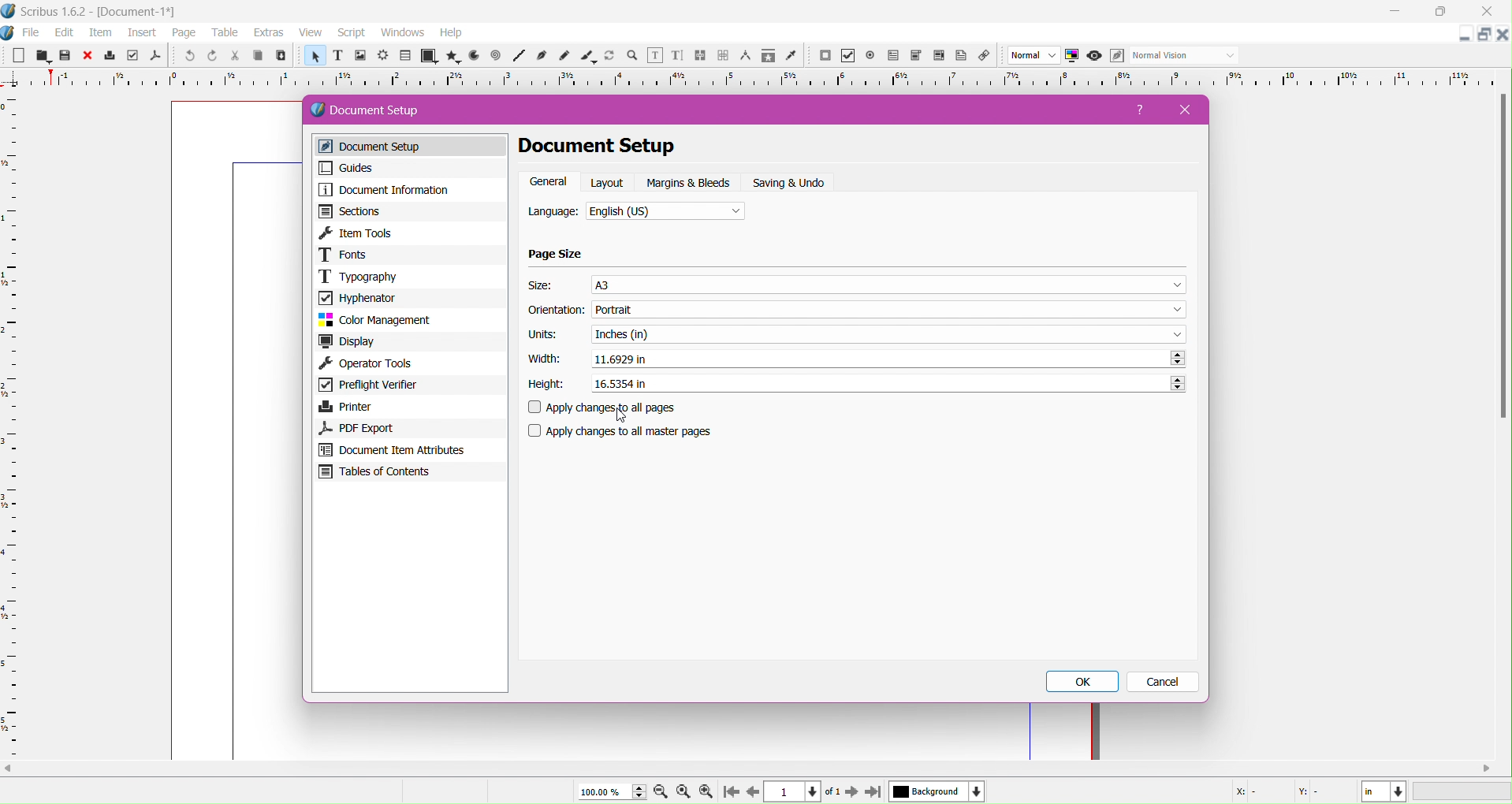 The height and width of the screenshot is (804, 1512). I want to click on zoom in, so click(706, 792).